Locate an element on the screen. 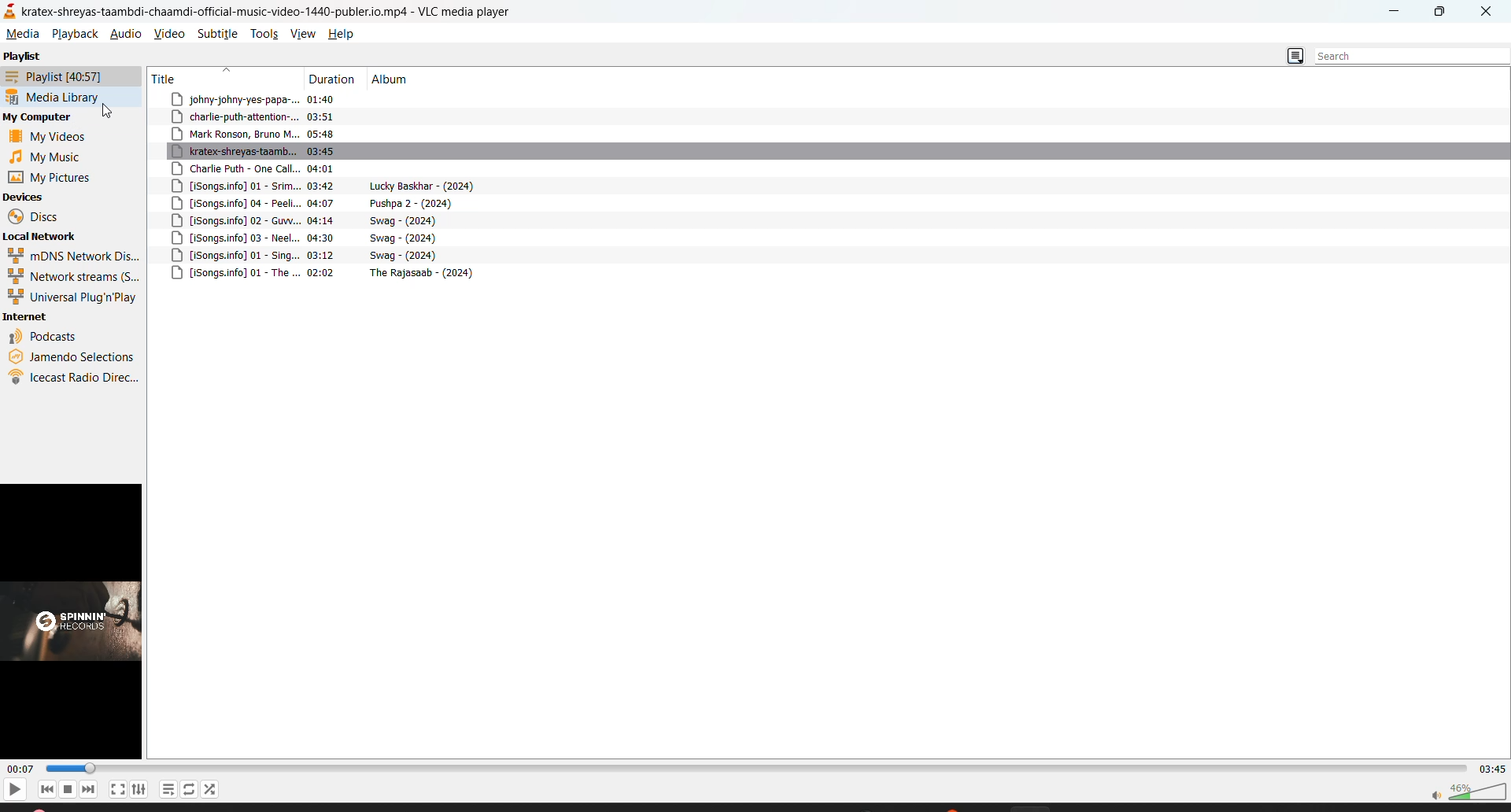 The height and width of the screenshot is (812, 1511). track title , duration and album is located at coordinates (321, 255).